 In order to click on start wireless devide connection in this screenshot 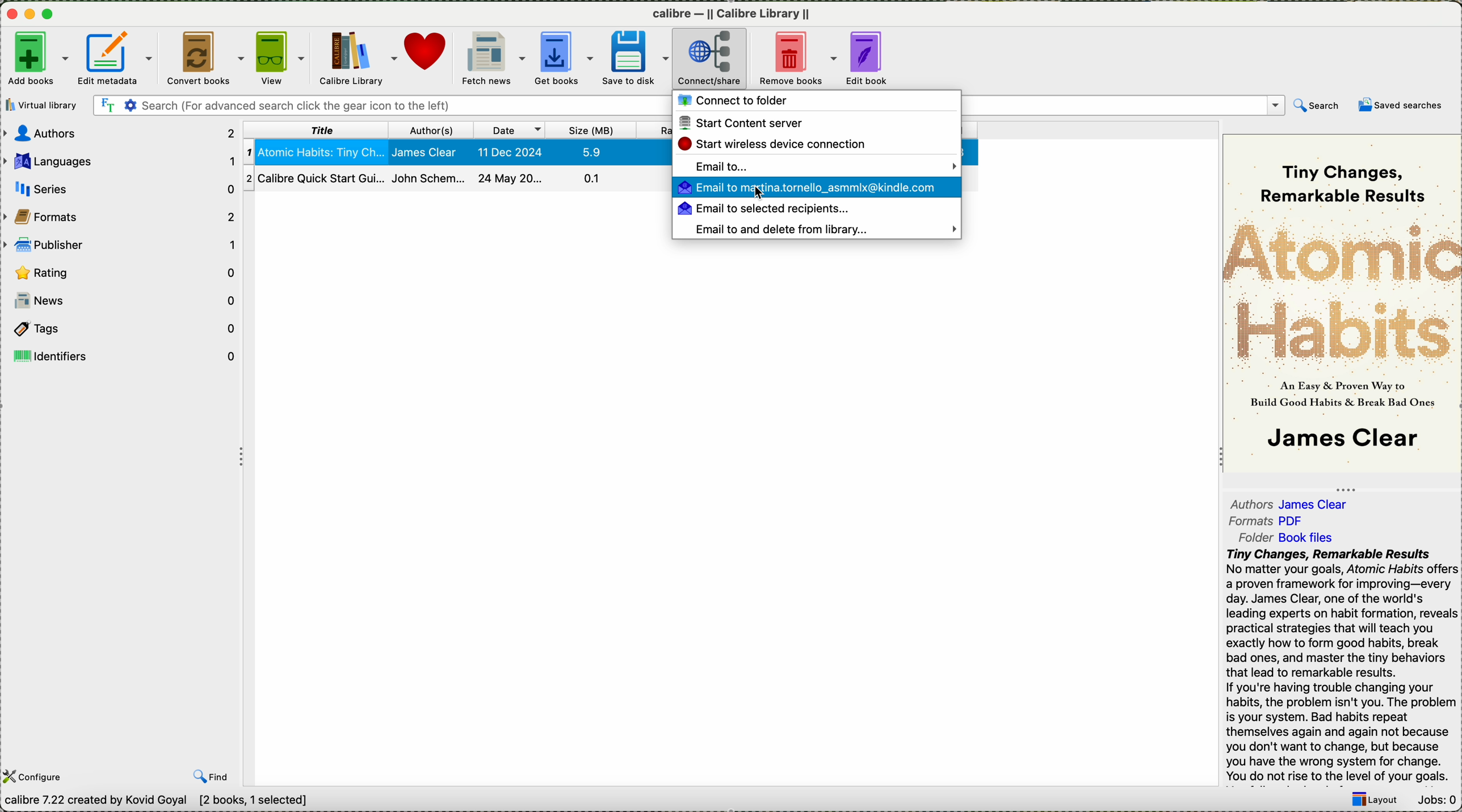, I will do `click(772, 142)`.